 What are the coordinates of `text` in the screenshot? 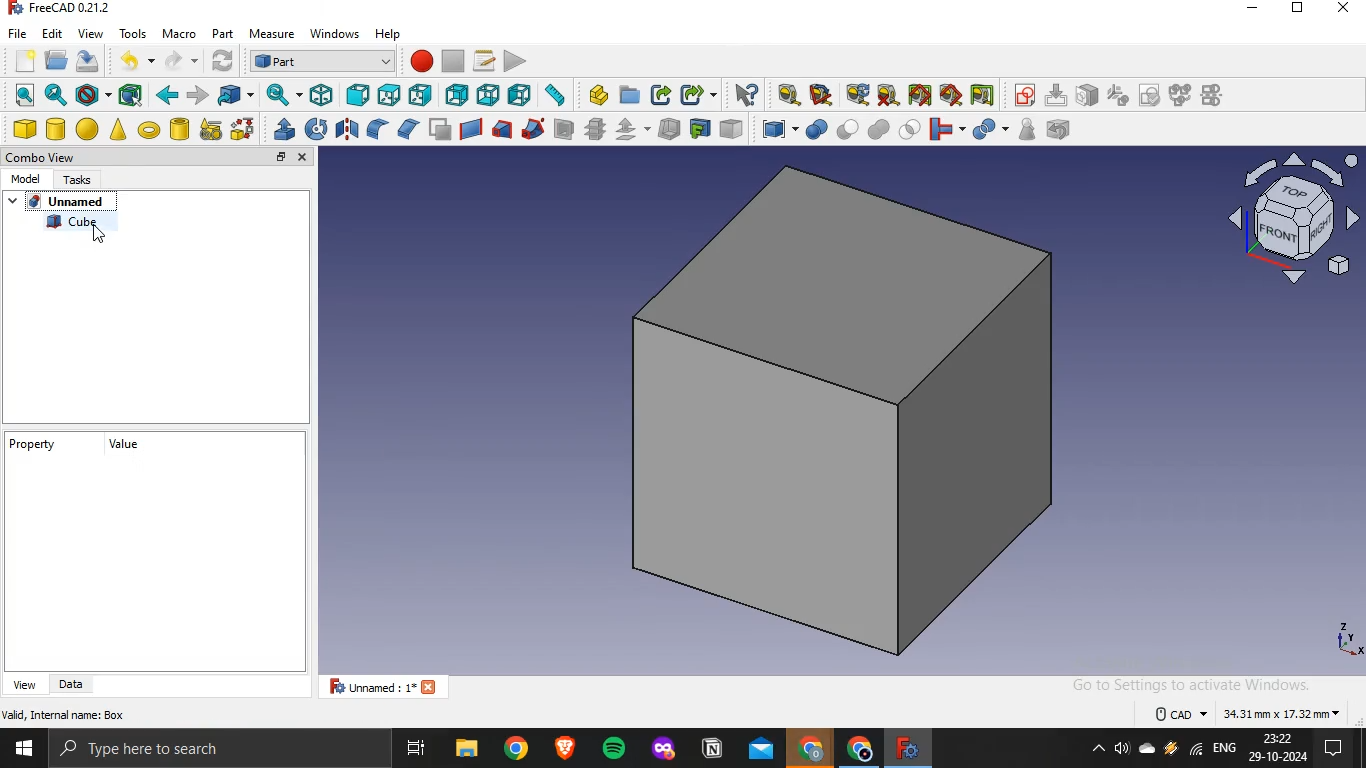 It's located at (1249, 711).